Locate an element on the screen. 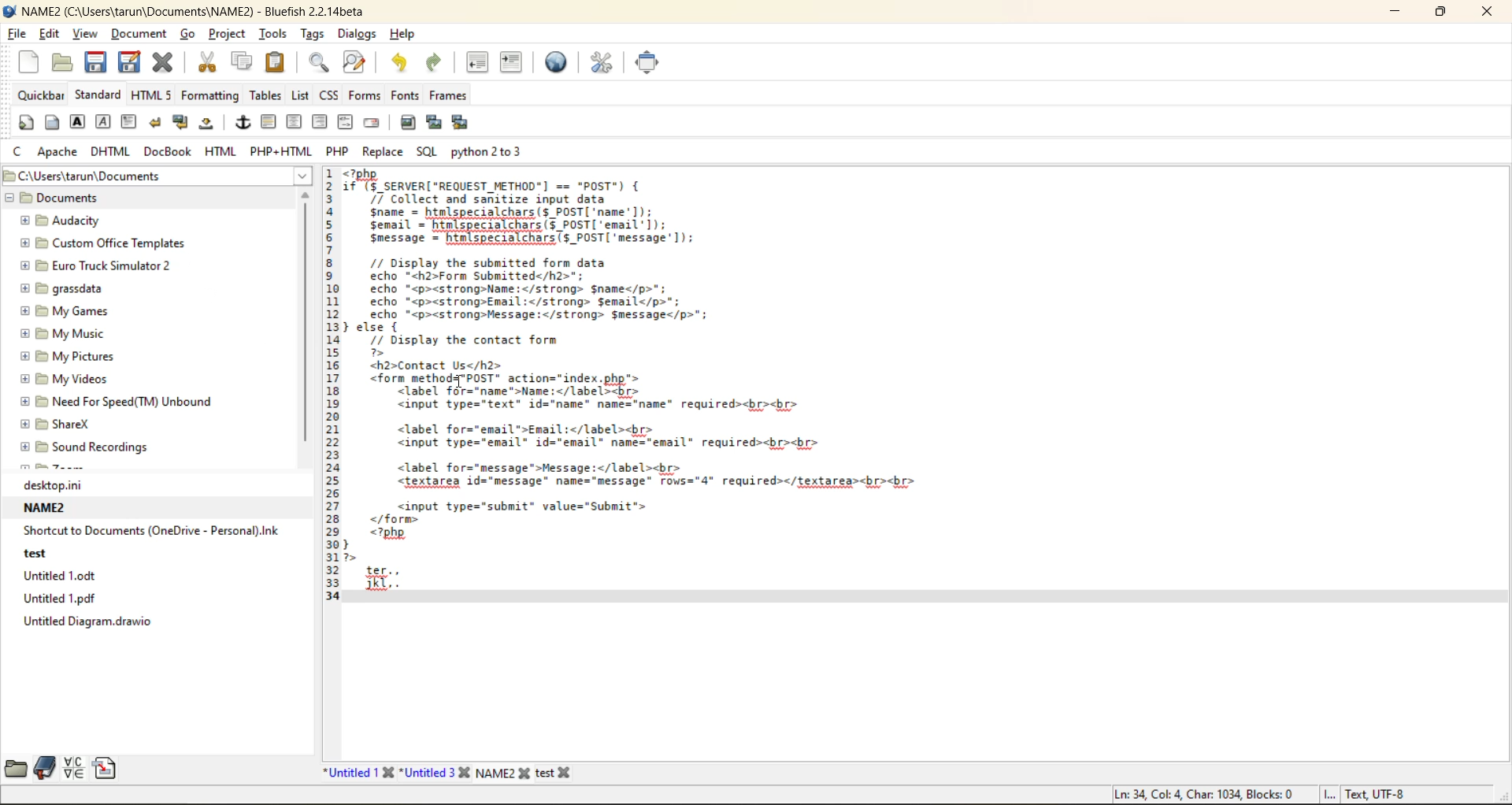 The image size is (1512, 805). redo is located at coordinates (432, 64).